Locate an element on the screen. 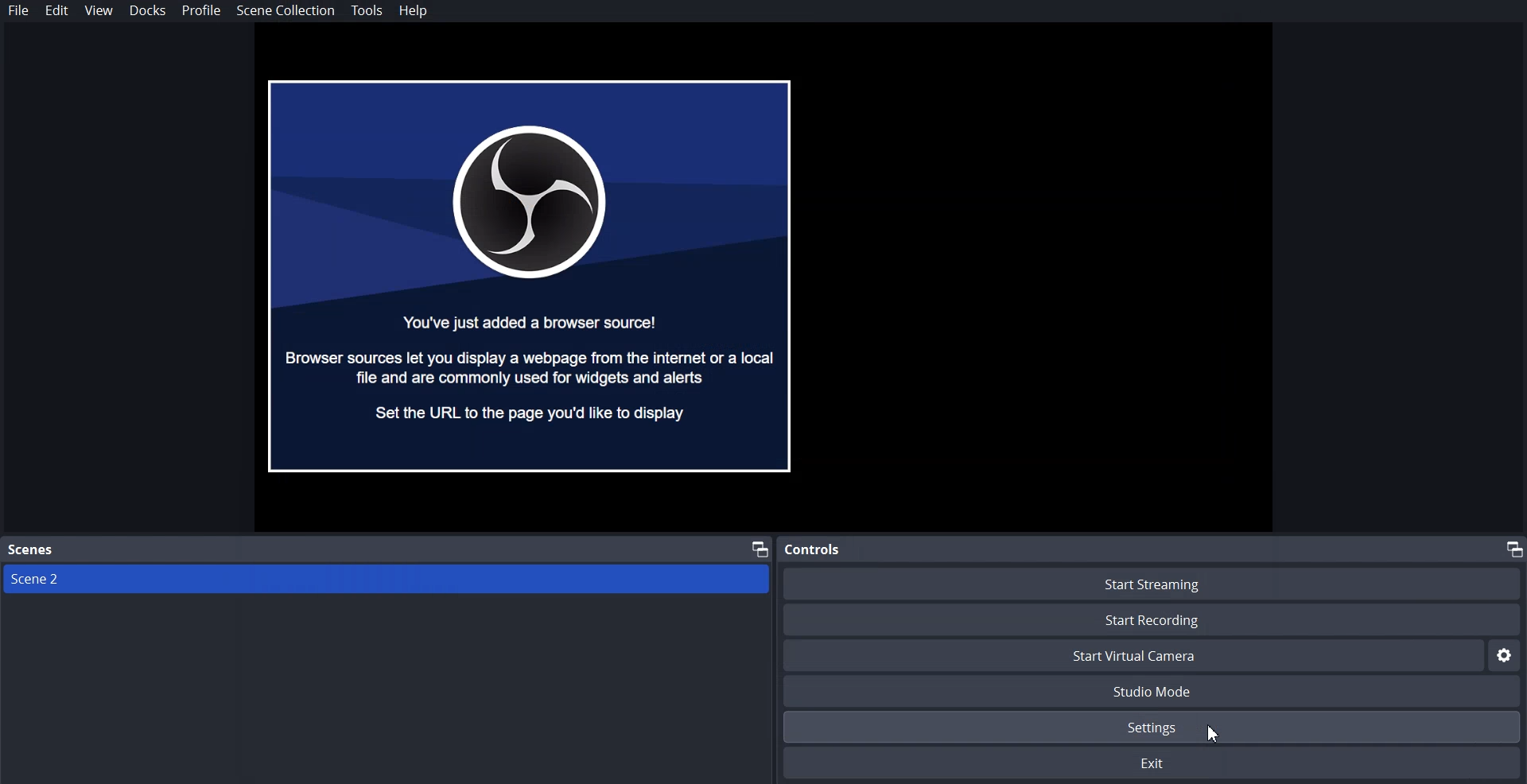  Scene is located at coordinates (387, 579).